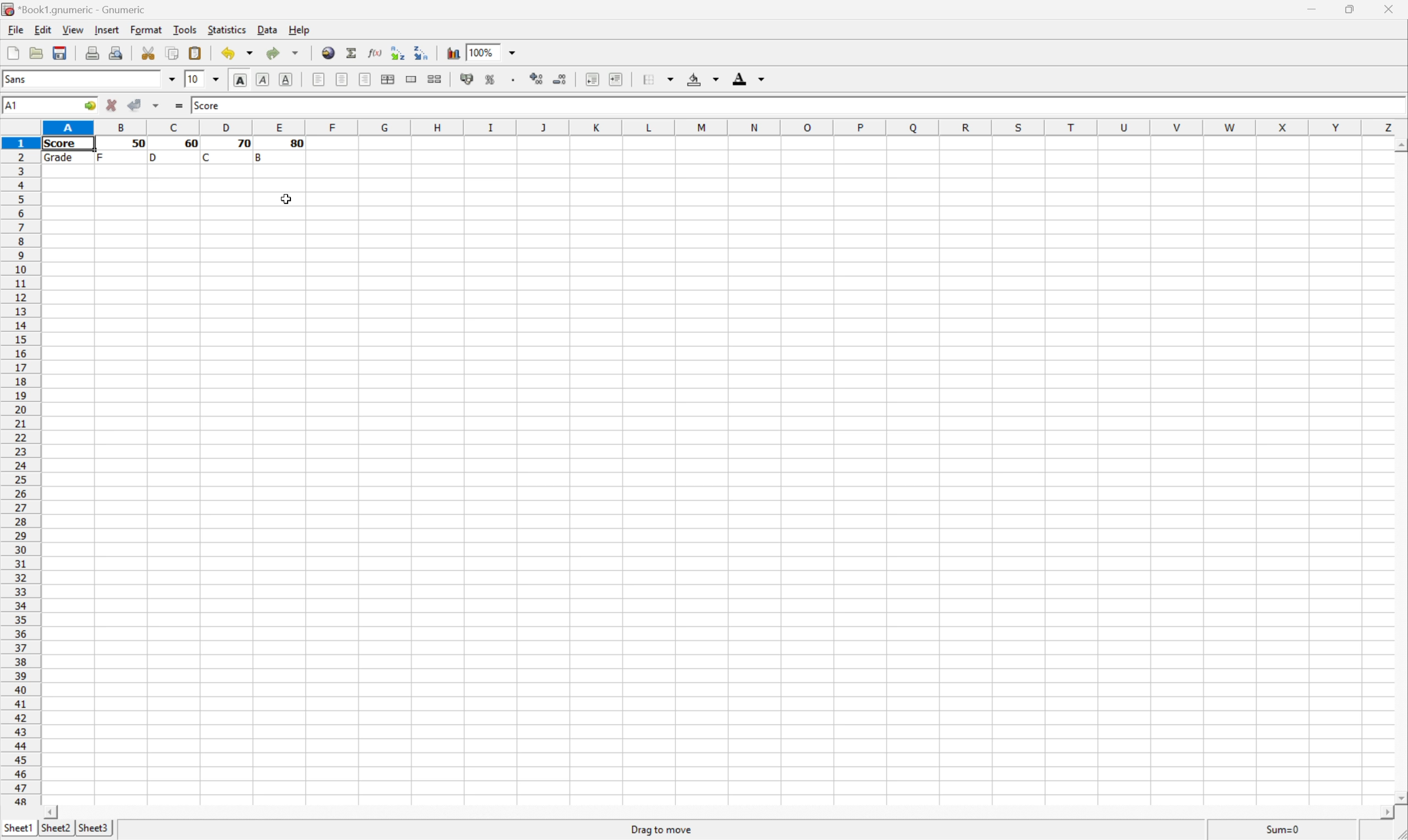  What do you see at coordinates (173, 55) in the screenshot?
I see `Copy the selection` at bounding box center [173, 55].